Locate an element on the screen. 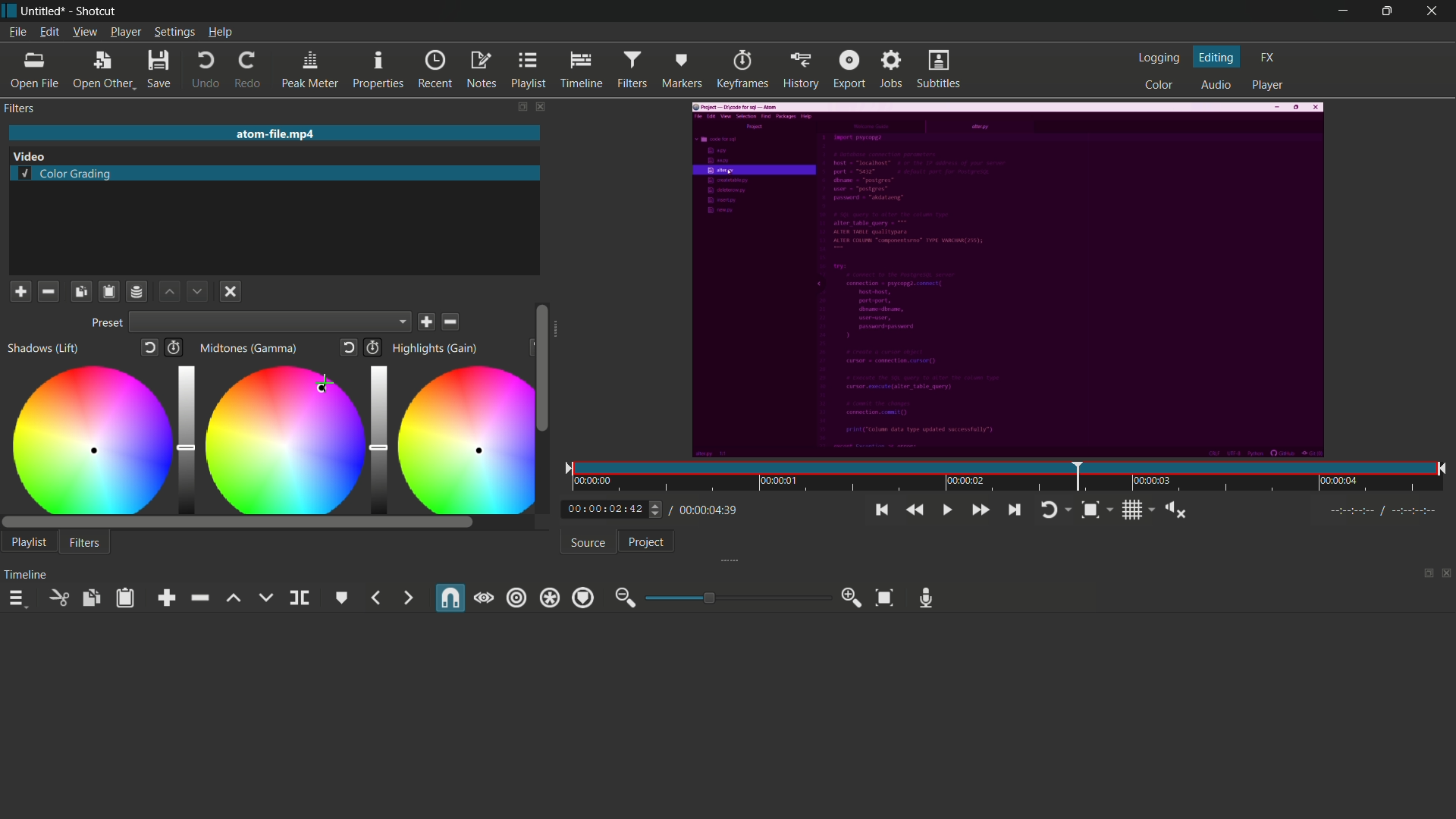  reset to default is located at coordinates (151, 350).